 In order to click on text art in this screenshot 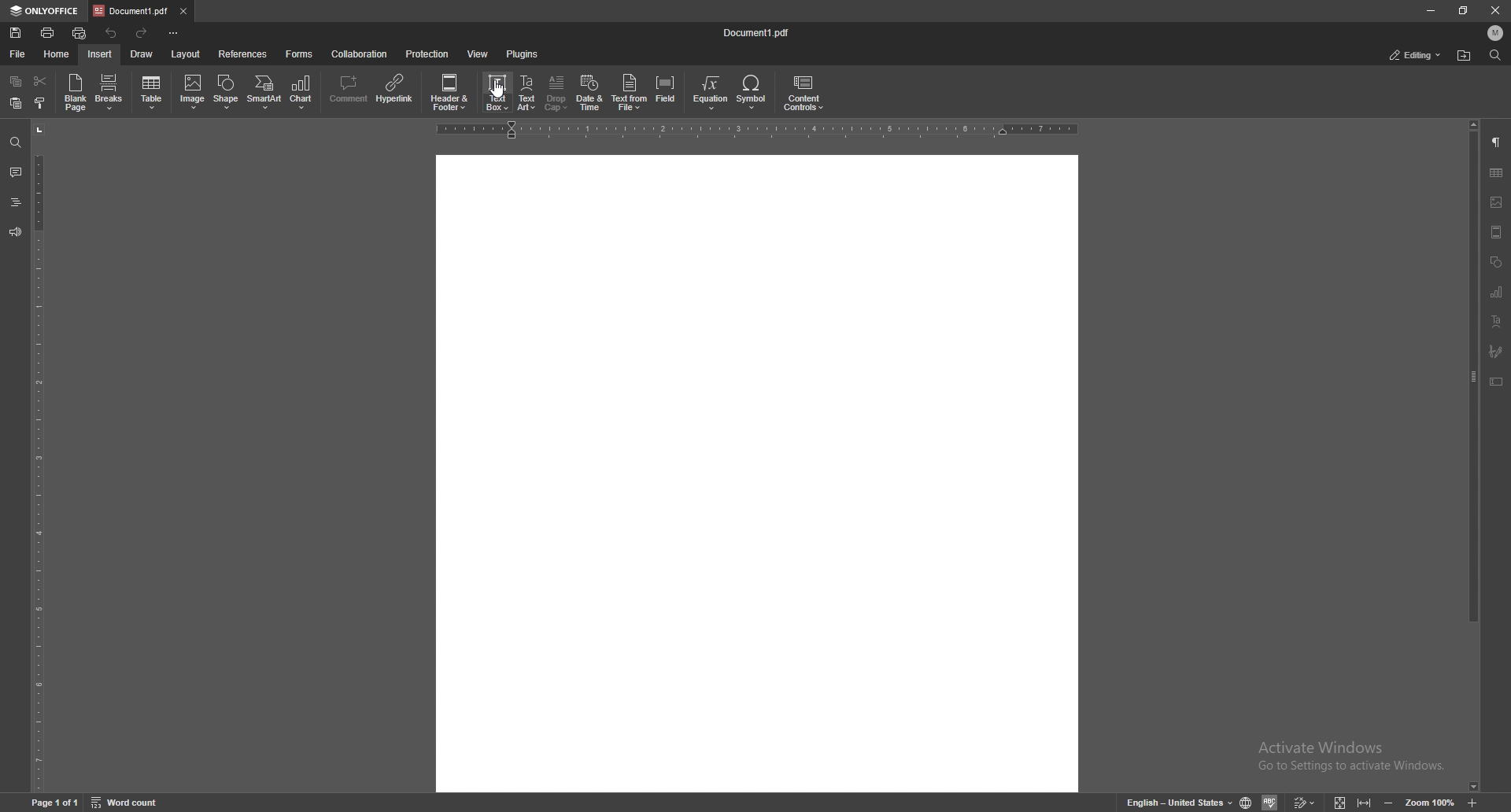, I will do `click(1496, 321)`.